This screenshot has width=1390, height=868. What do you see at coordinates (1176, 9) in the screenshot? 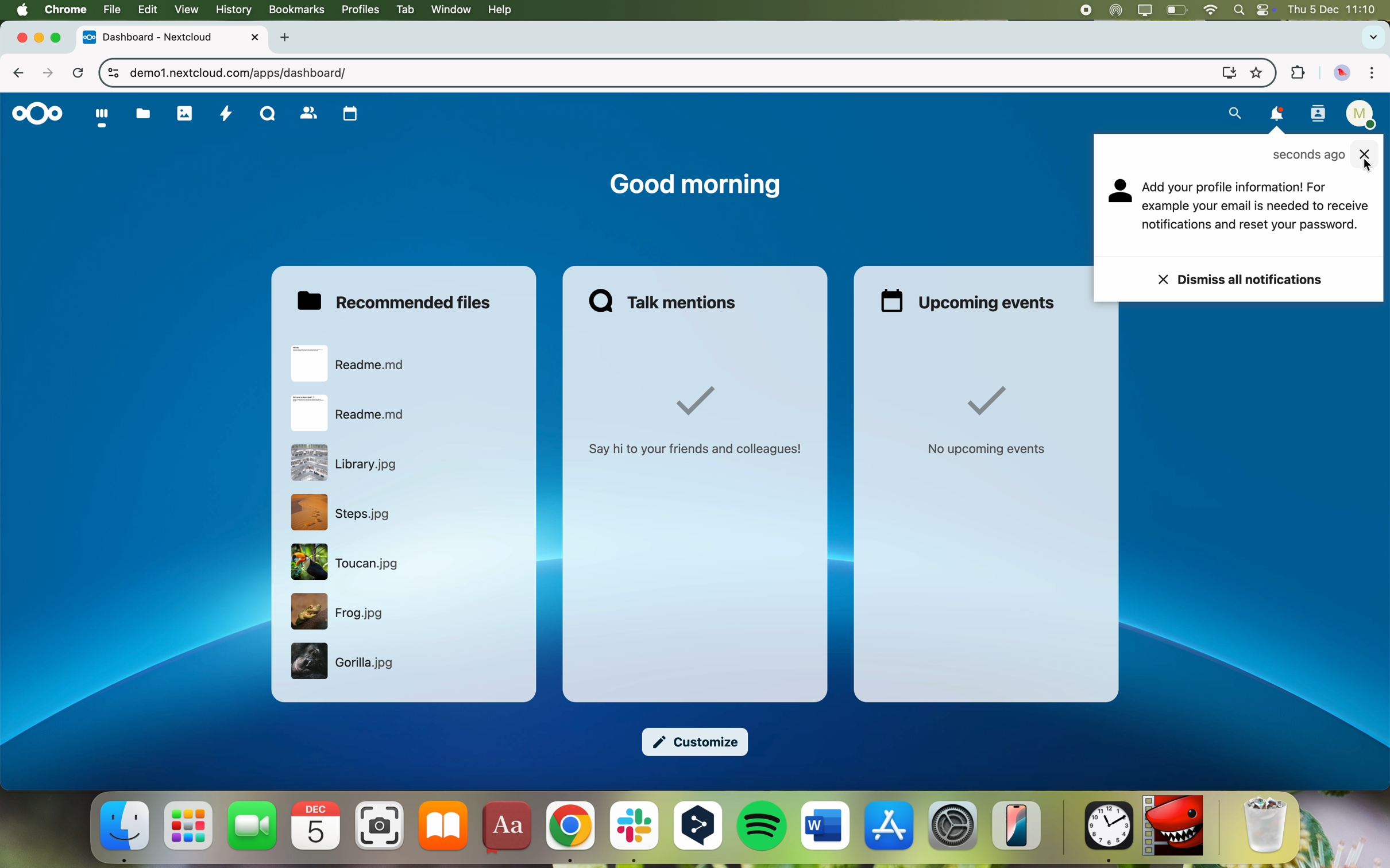
I see `battery` at bounding box center [1176, 9].